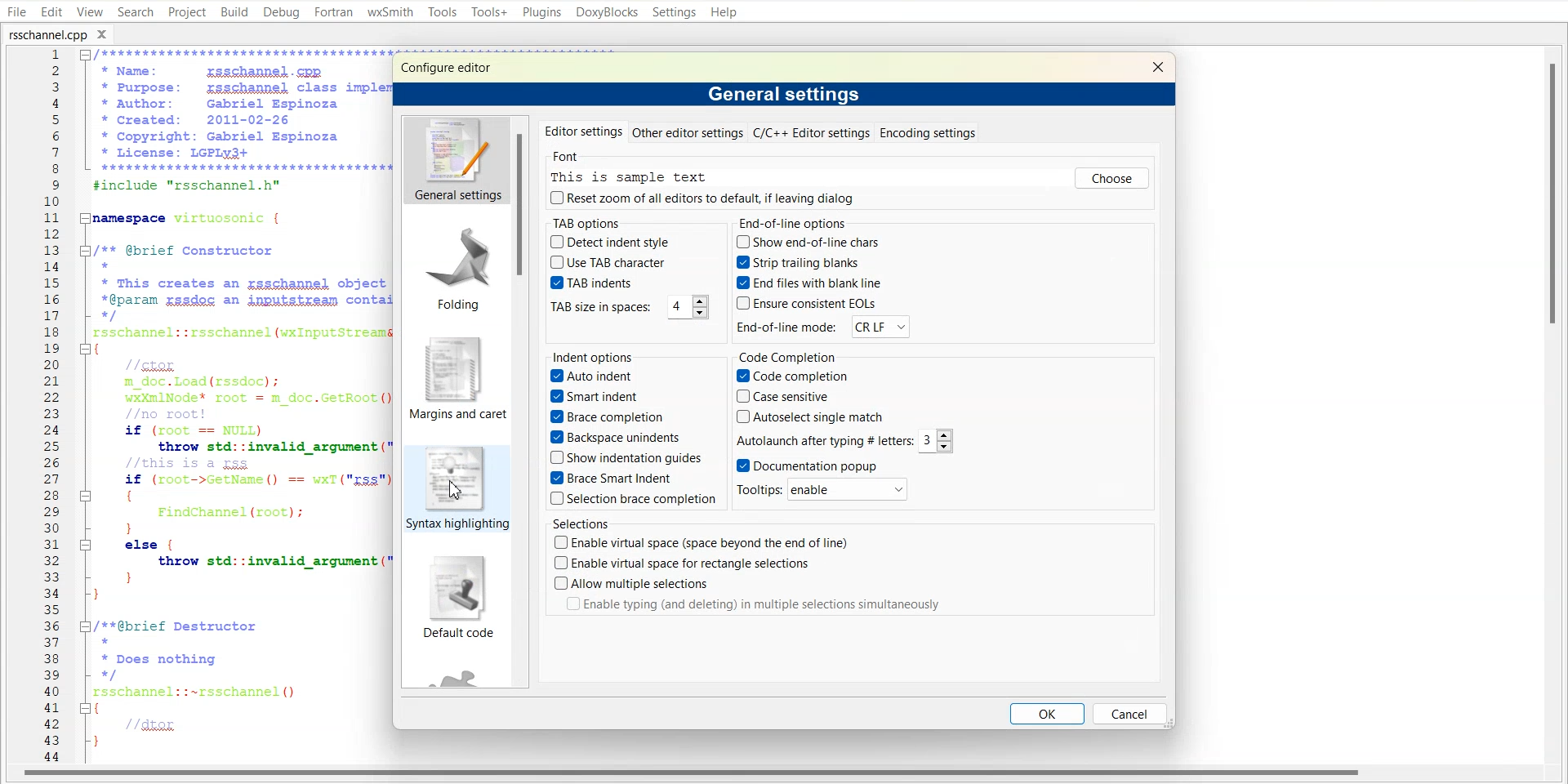  Describe the element at coordinates (843, 440) in the screenshot. I see `Autolaunch after typing` at that location.